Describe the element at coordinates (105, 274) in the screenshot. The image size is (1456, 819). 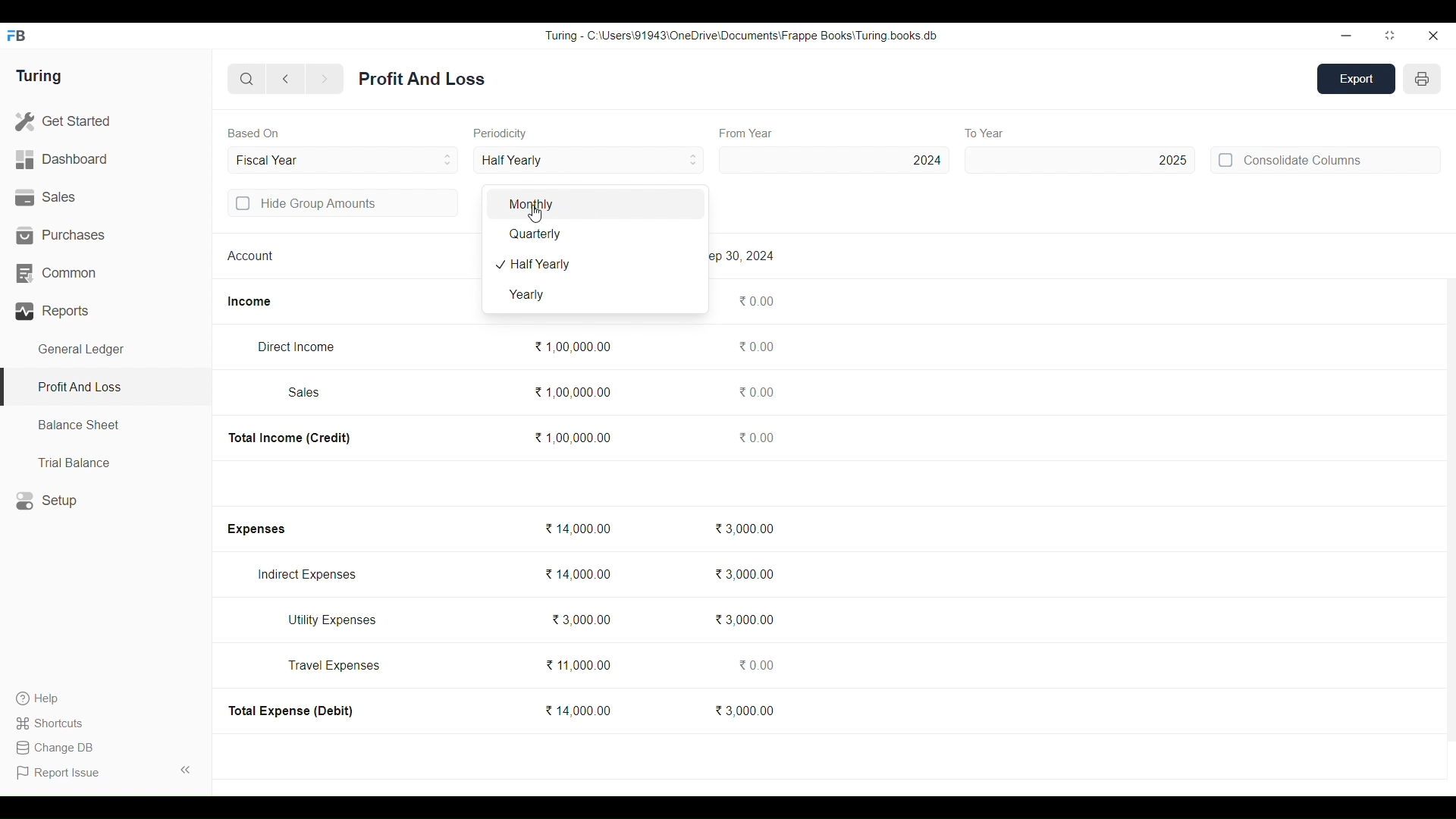
I see `Common` at that location.